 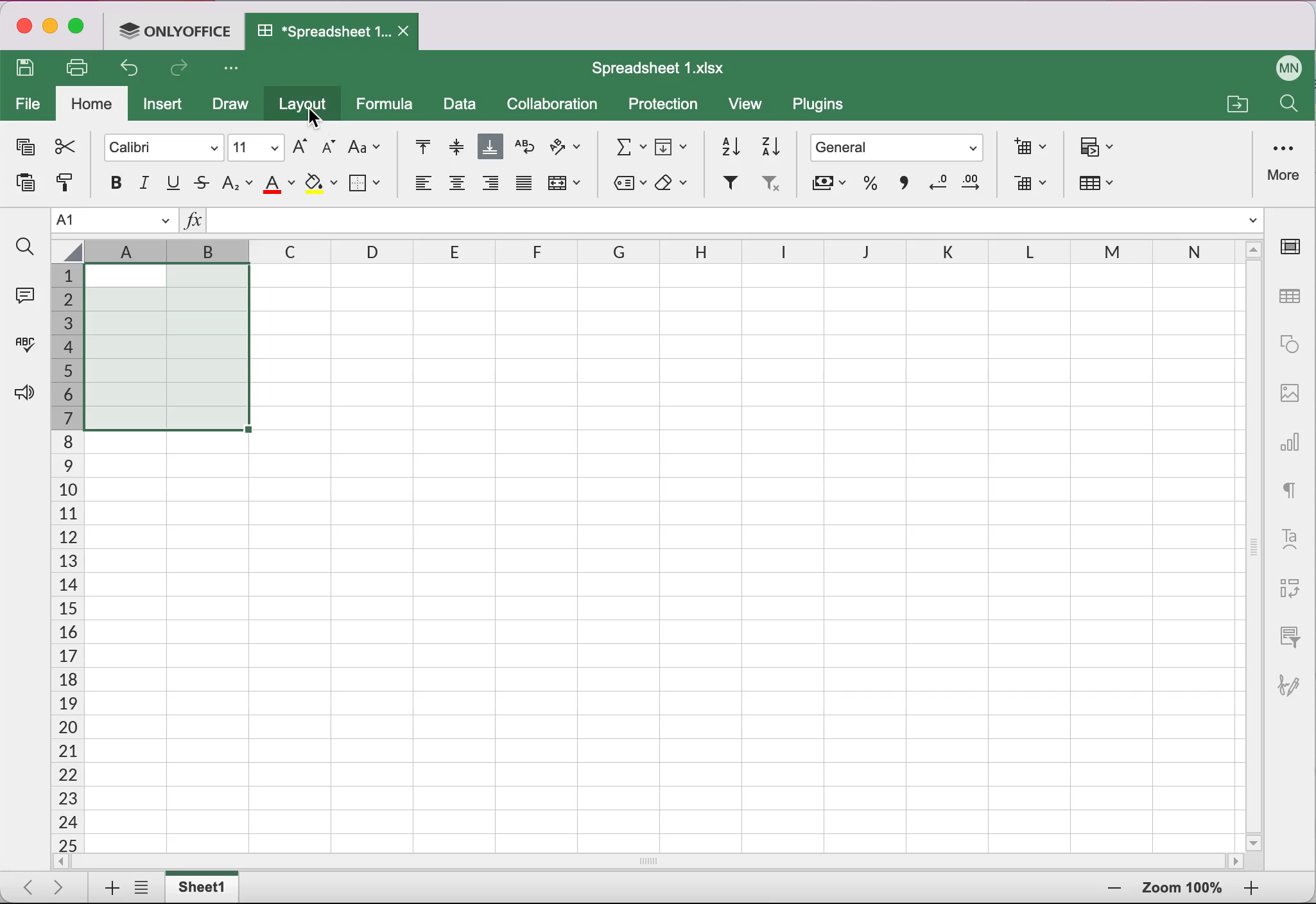 I want to click on shape, so click(x=1290, y=344).